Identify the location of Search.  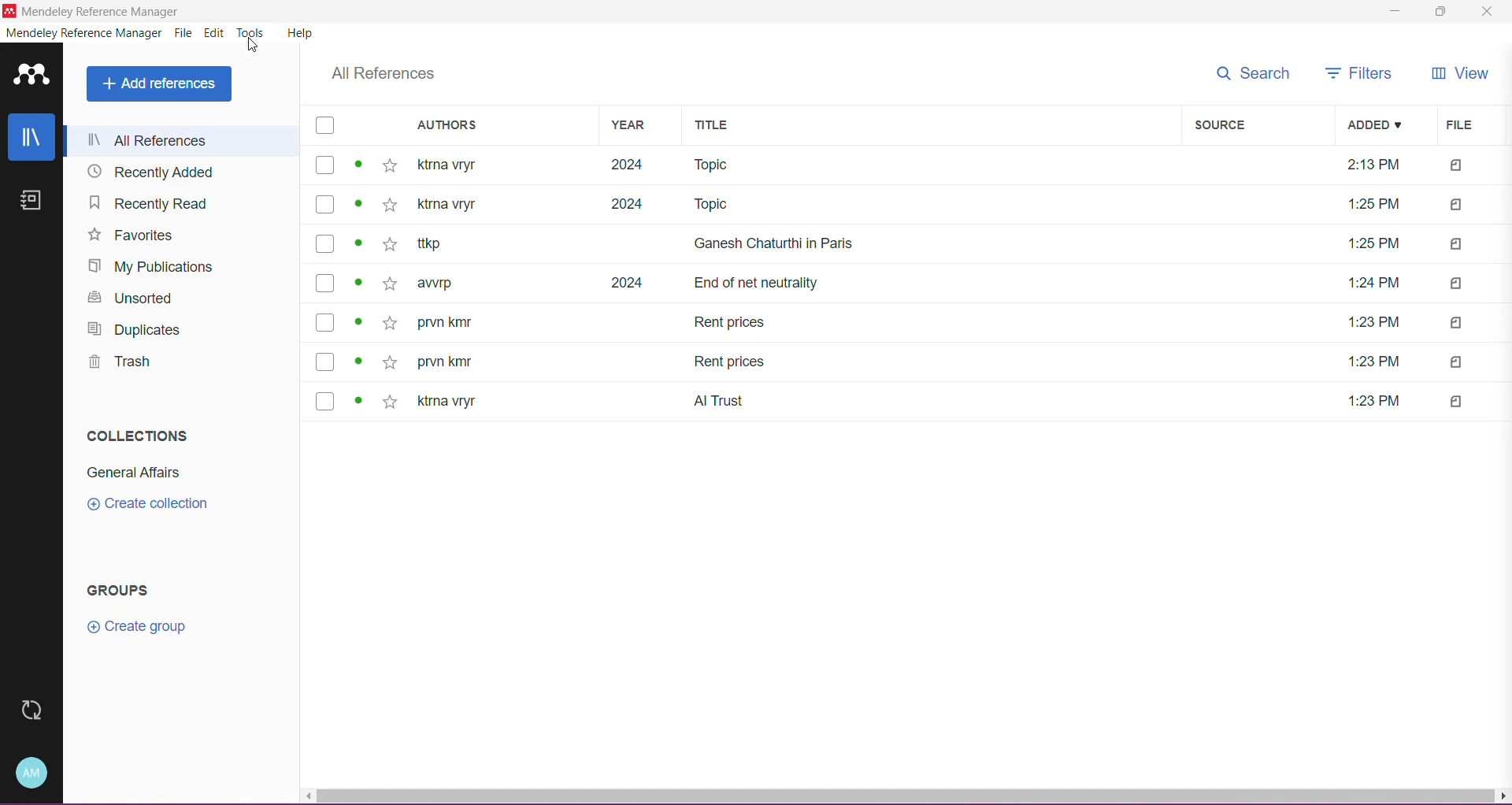
(1252, 73).